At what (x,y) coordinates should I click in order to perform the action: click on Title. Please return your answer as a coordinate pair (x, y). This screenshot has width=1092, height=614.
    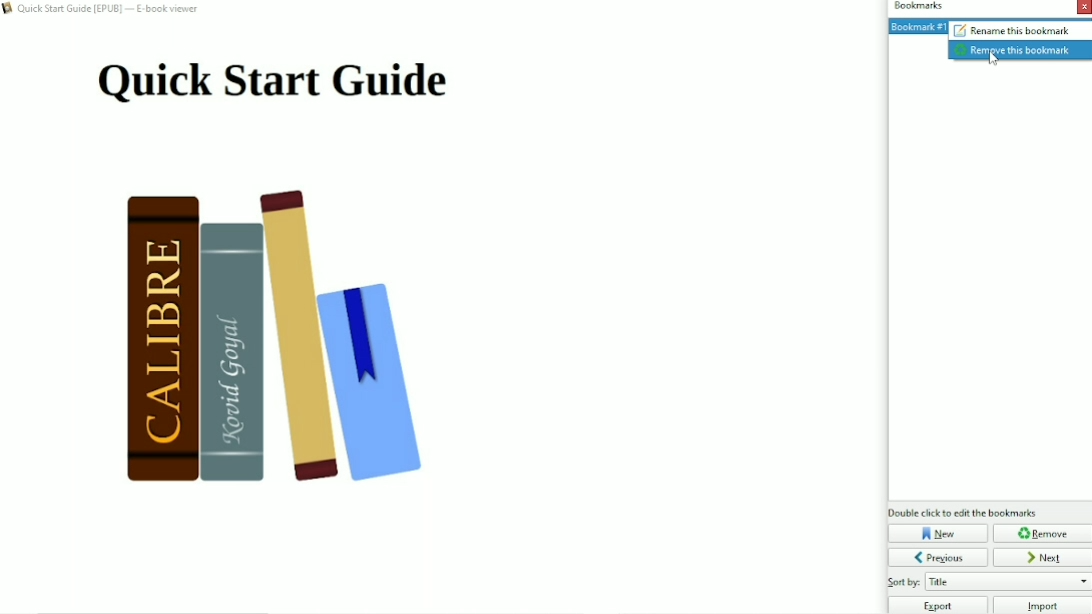
    Looking at the image, I should click on (278, 86).